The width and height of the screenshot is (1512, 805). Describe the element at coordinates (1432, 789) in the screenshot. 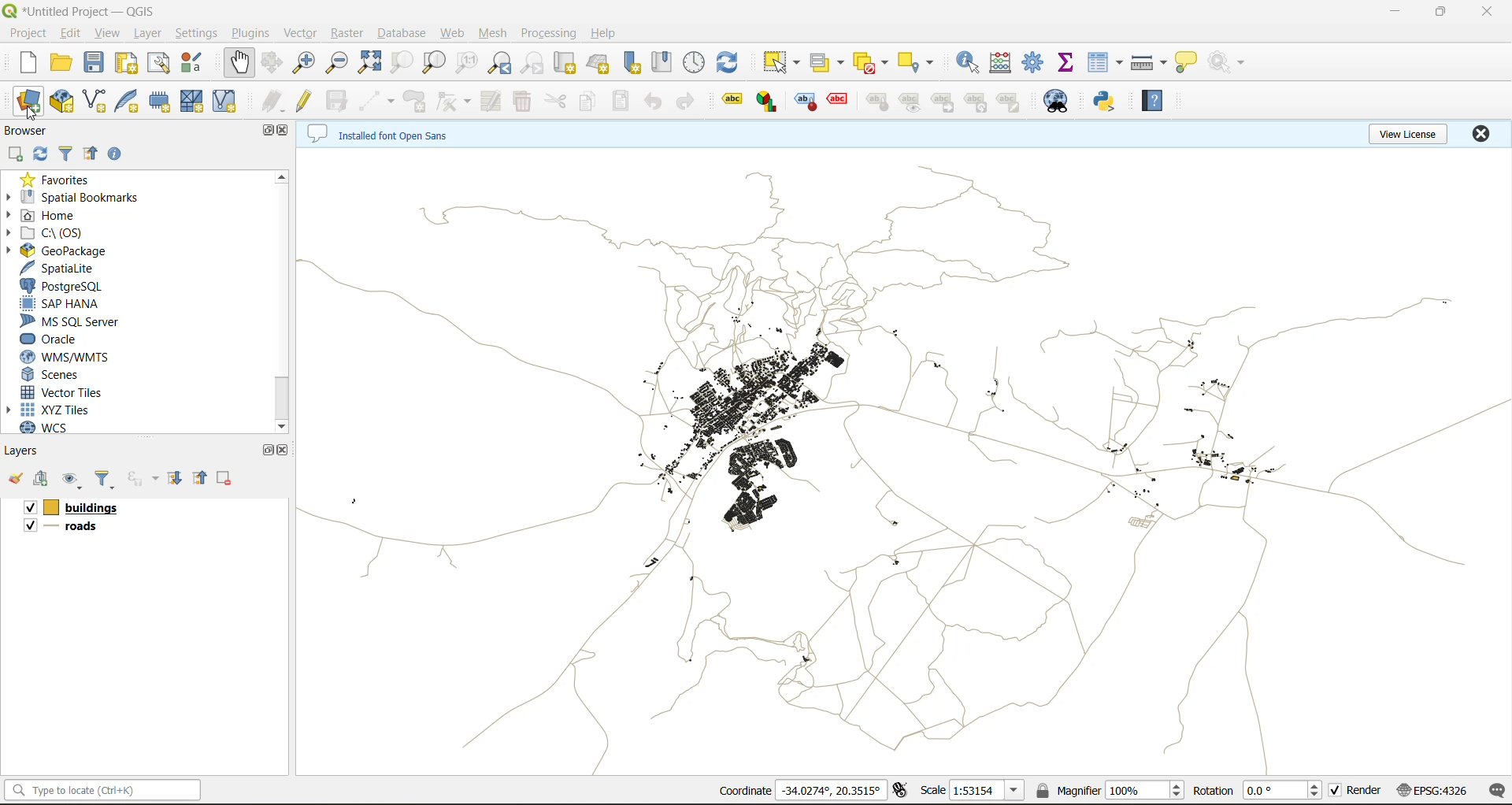

I see `crs` at that location.